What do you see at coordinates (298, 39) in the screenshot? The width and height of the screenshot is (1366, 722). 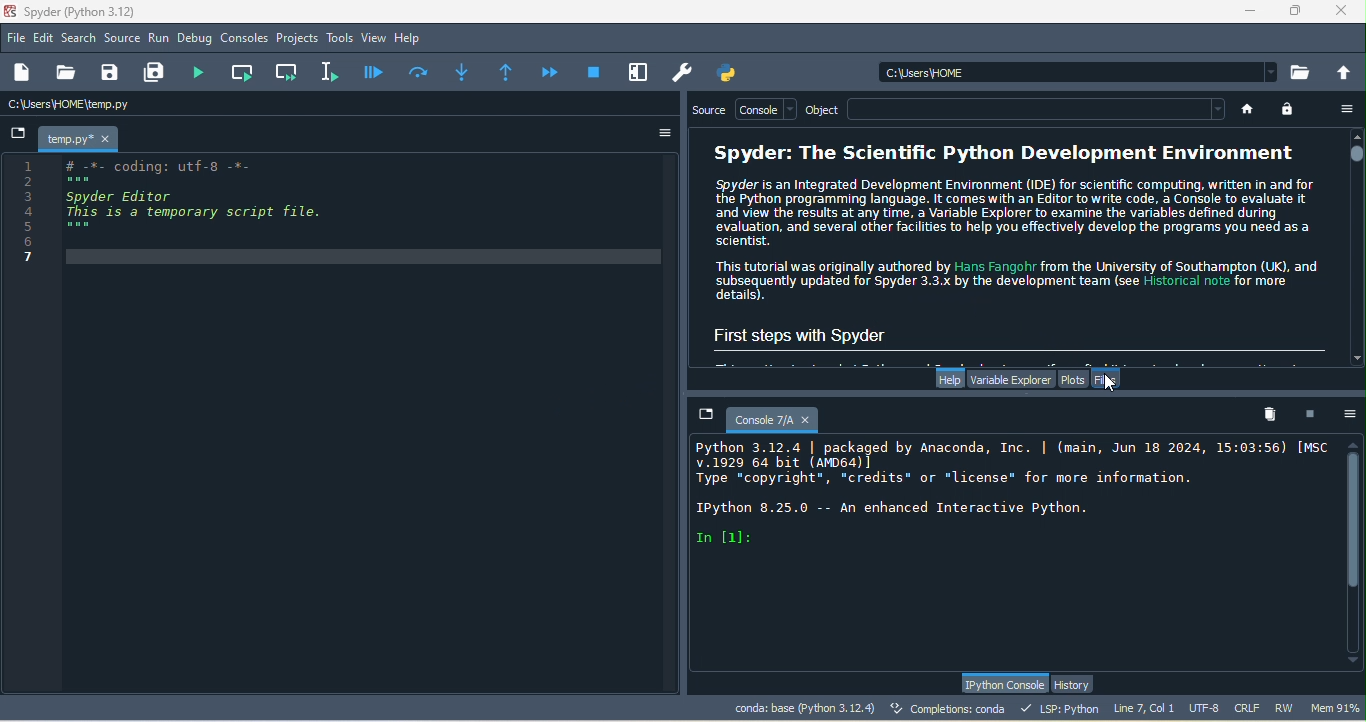 I see `projects` at bounding box center [298, 39].